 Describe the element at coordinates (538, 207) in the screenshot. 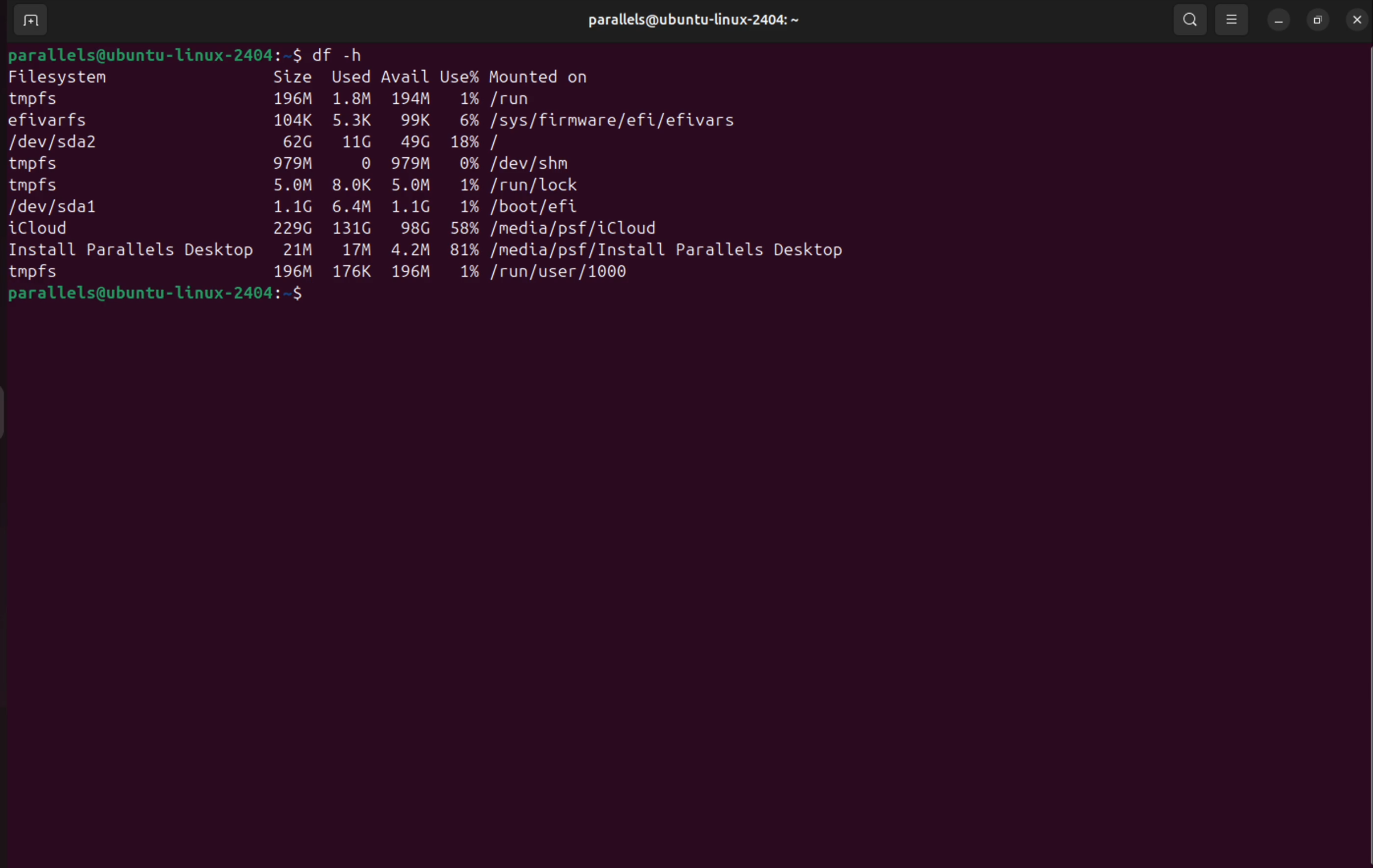

I see `/boot/efi` at that location.